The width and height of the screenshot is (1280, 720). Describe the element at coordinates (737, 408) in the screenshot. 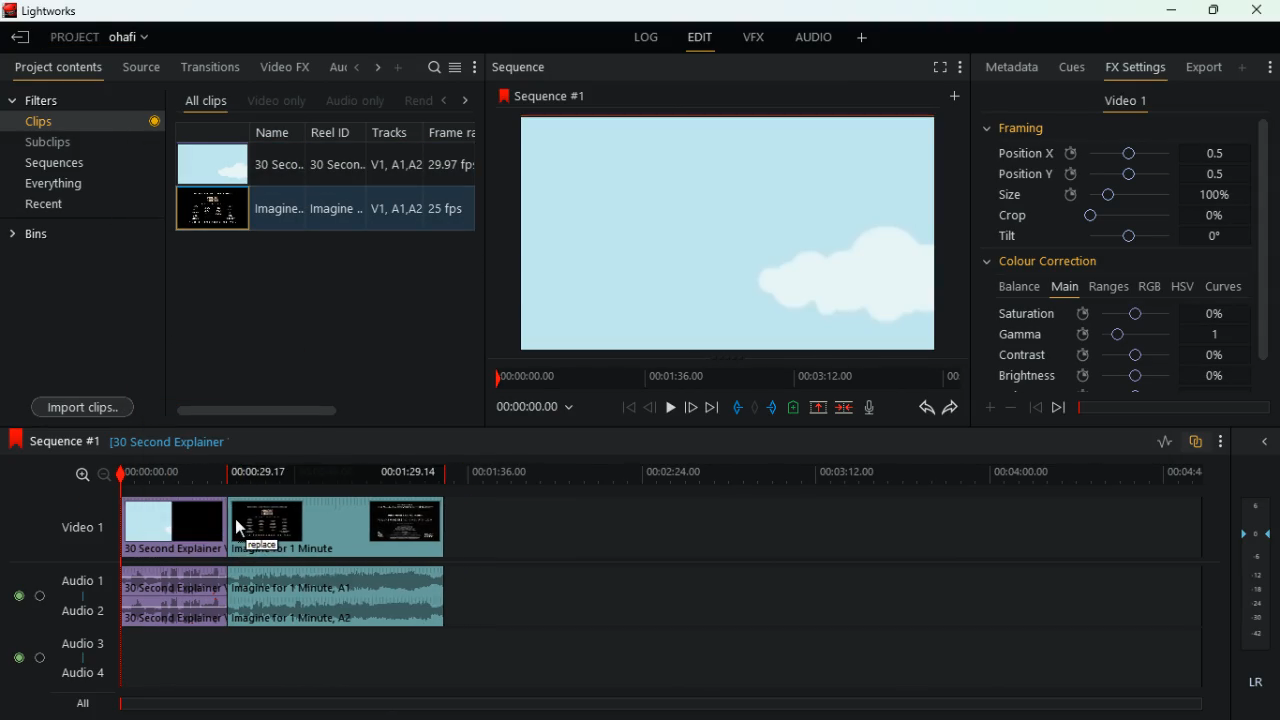

I see `pull` at that location.